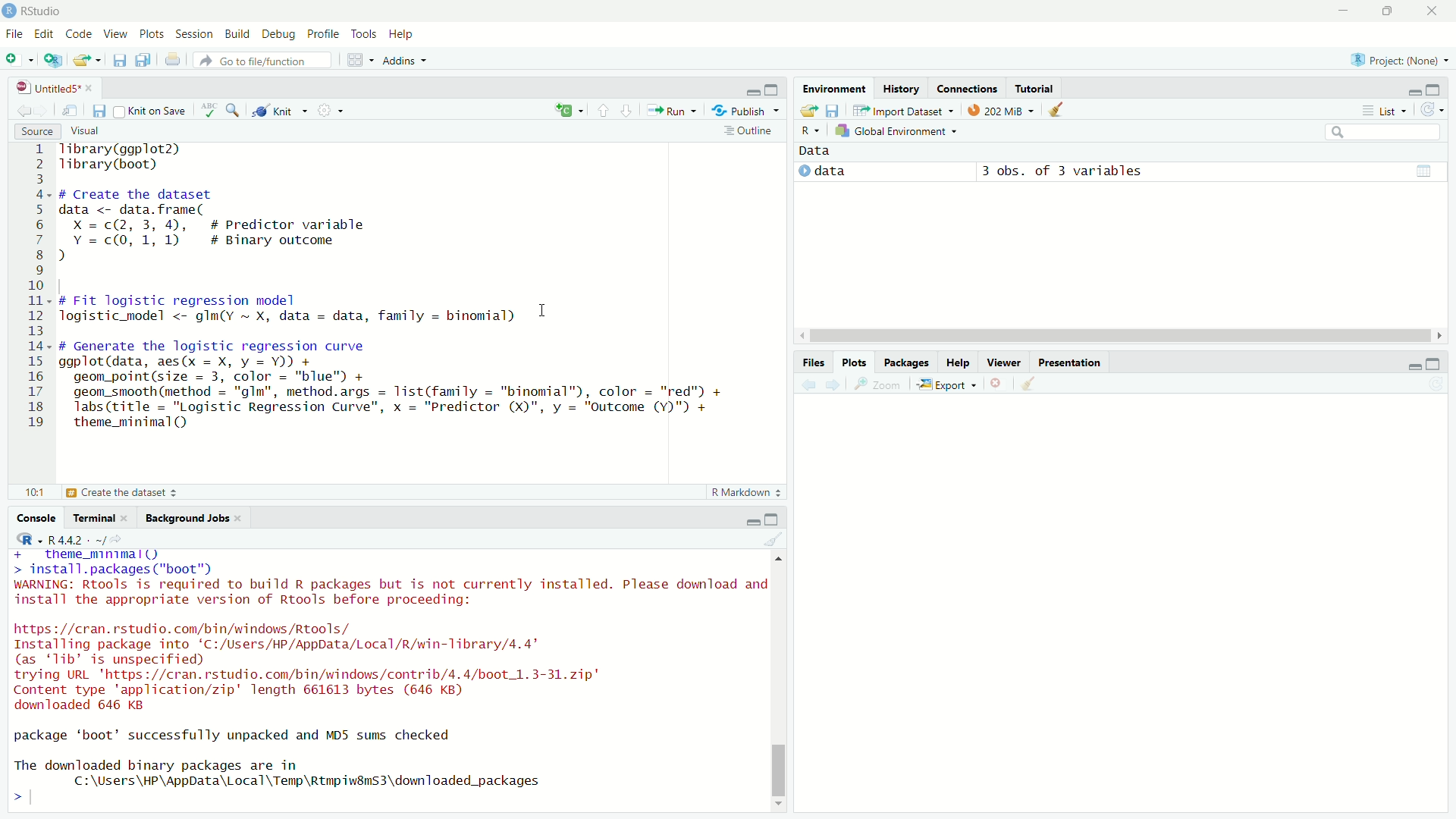 Image resolution: width=1456 pixels, height=819 pixels. I want to click on Connections, so click(967, 88).